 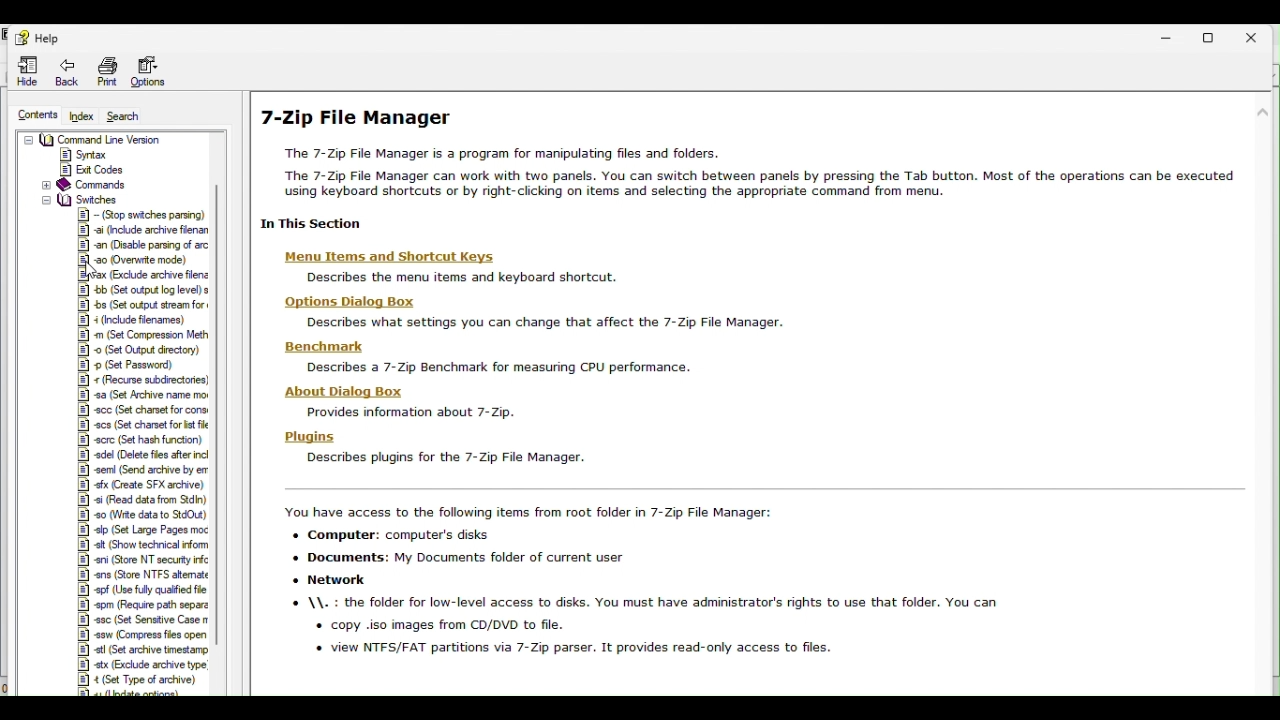 I want to click on |&] ecc (Set chamet for cons:, so click(x=143, y=410).